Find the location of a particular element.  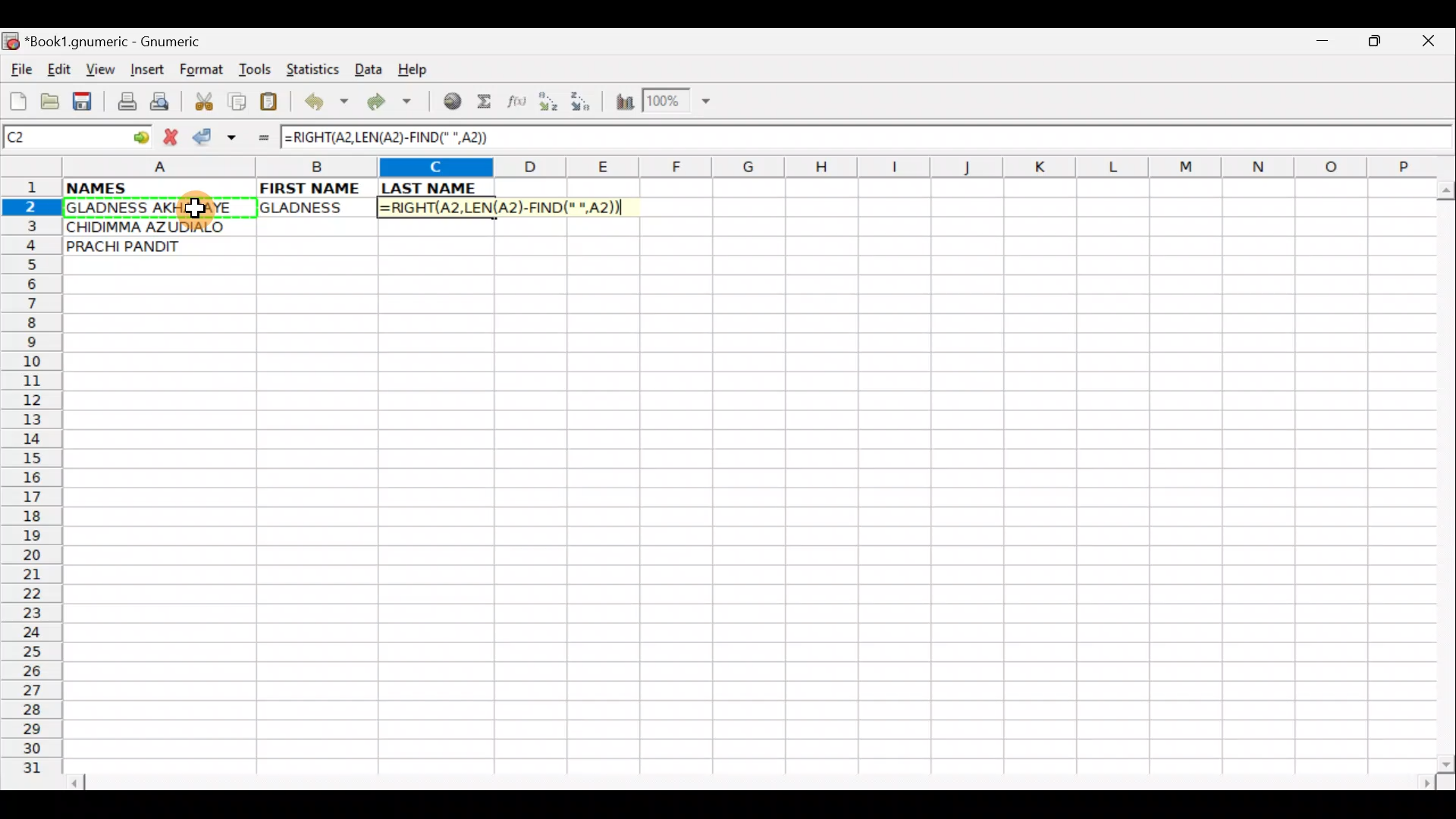

Gnumeric logo is located at coordinates (11, 42).